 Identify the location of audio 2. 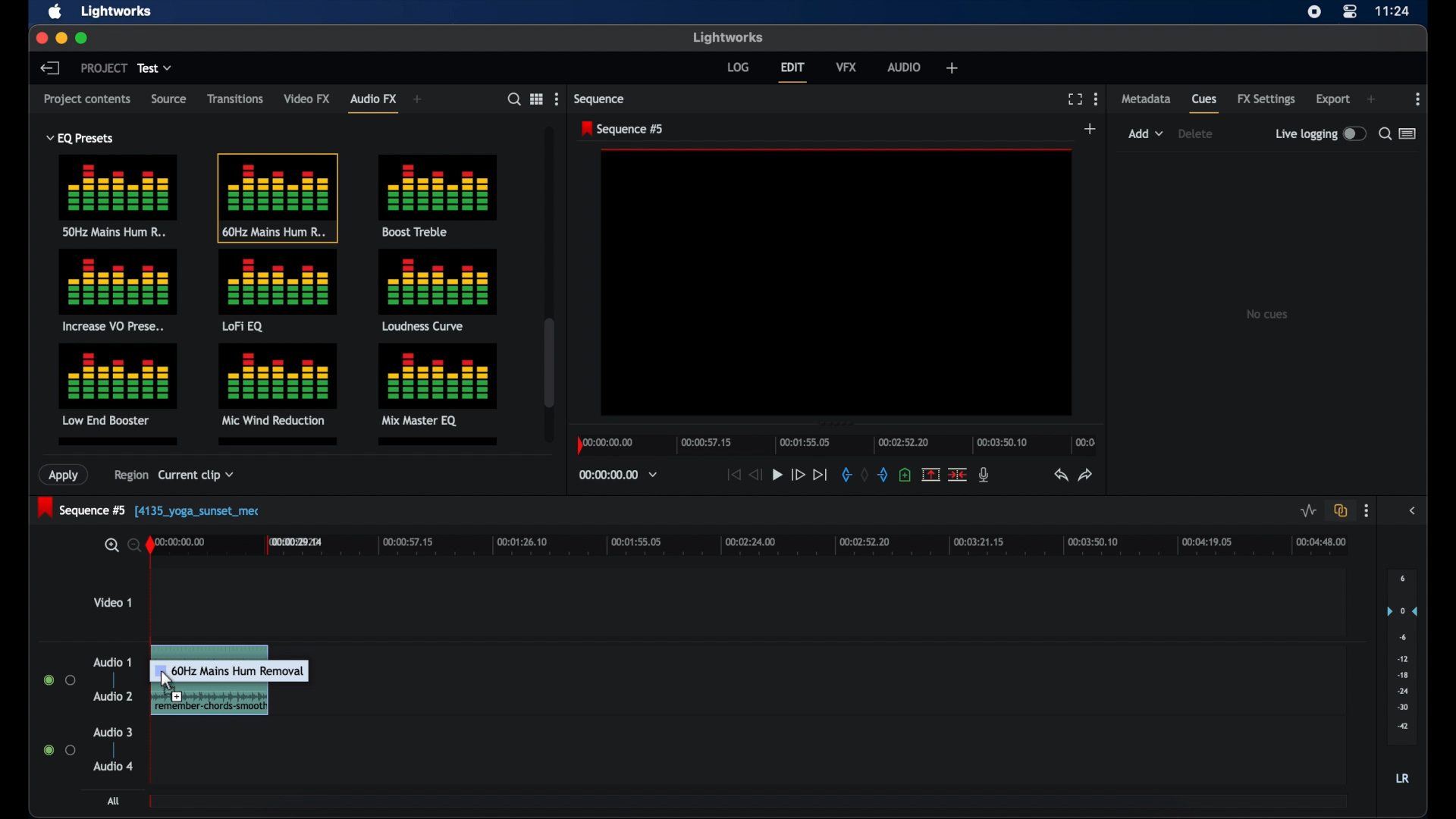
(113, 695).